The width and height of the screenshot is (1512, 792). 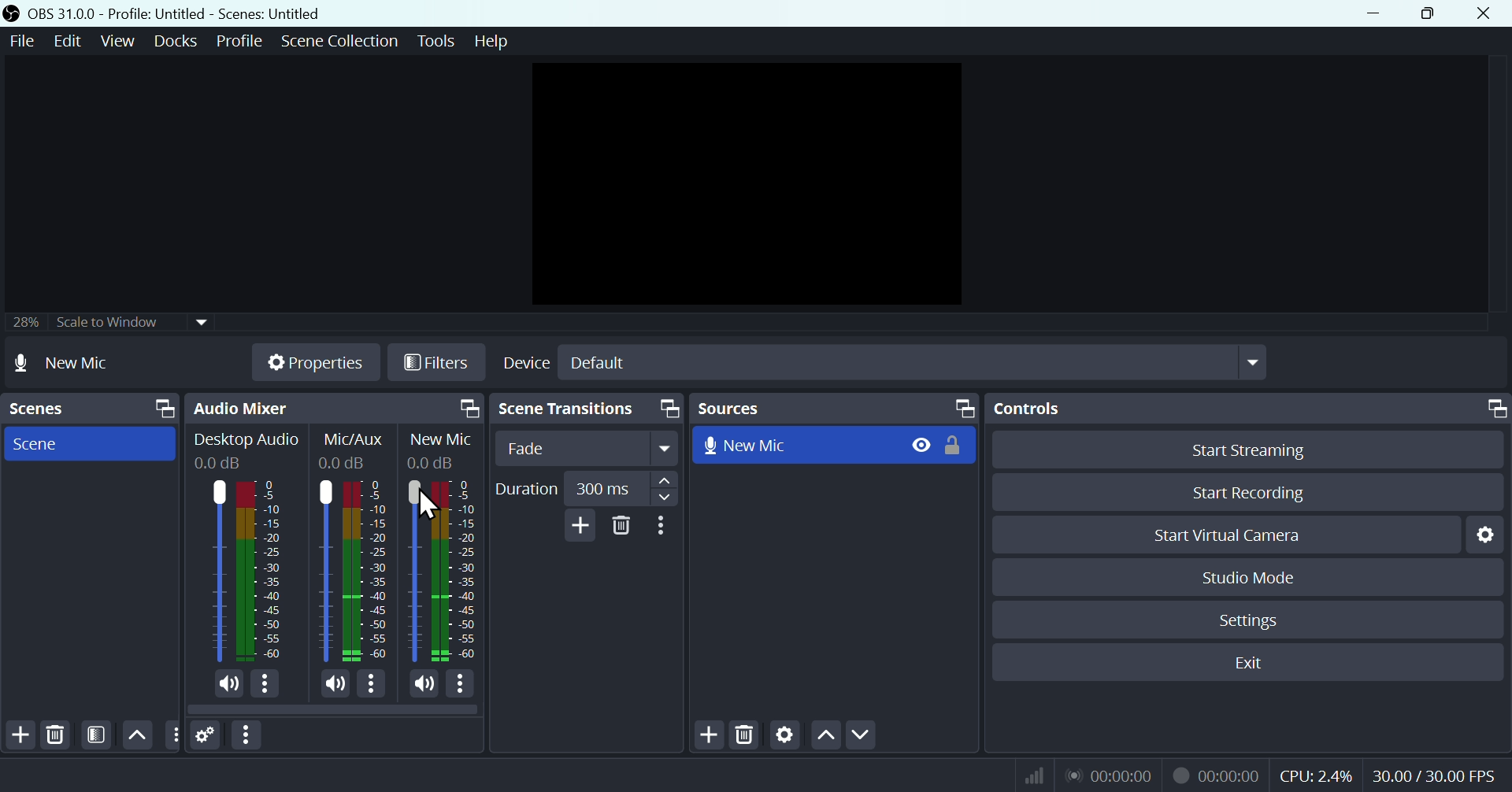 What do you see at coordinates (1250, 577) in the screenshot?
I see `Studio mode` at bounding box center [1250, 577].